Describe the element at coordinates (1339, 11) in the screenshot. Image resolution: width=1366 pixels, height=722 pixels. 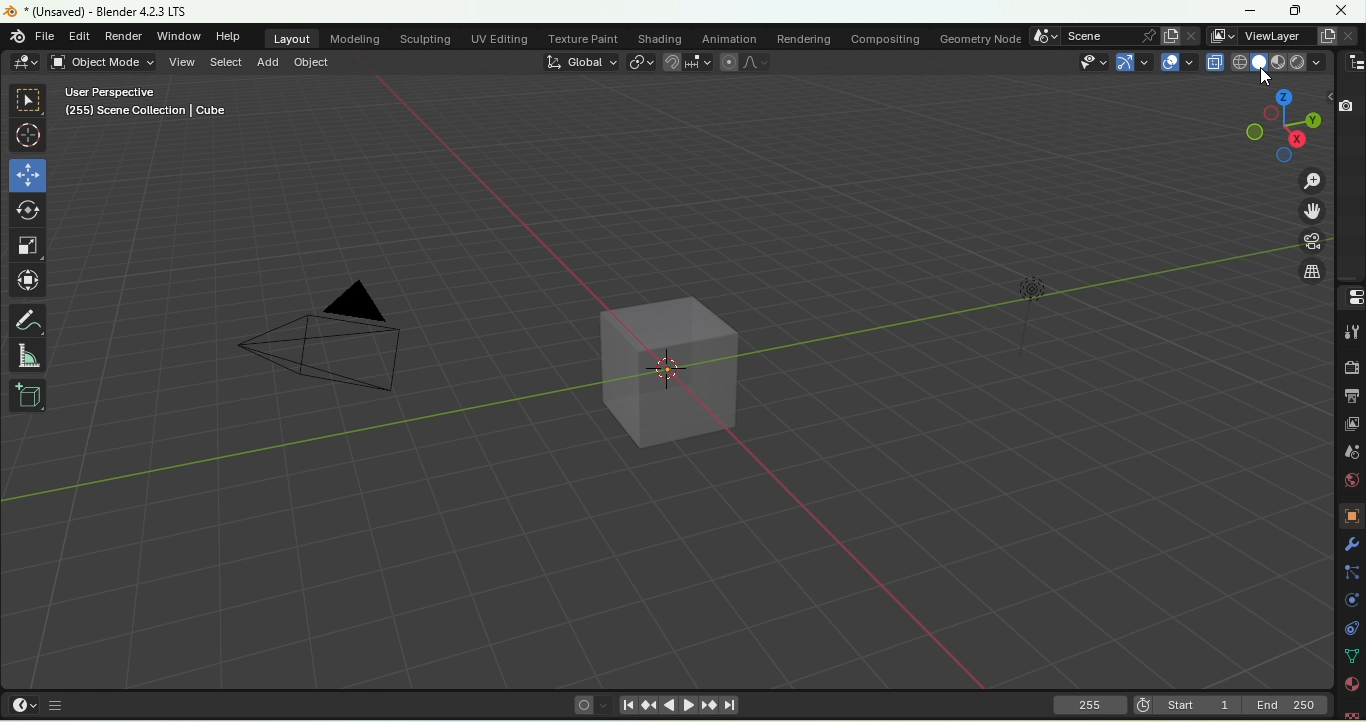
I see `Close` at that location.